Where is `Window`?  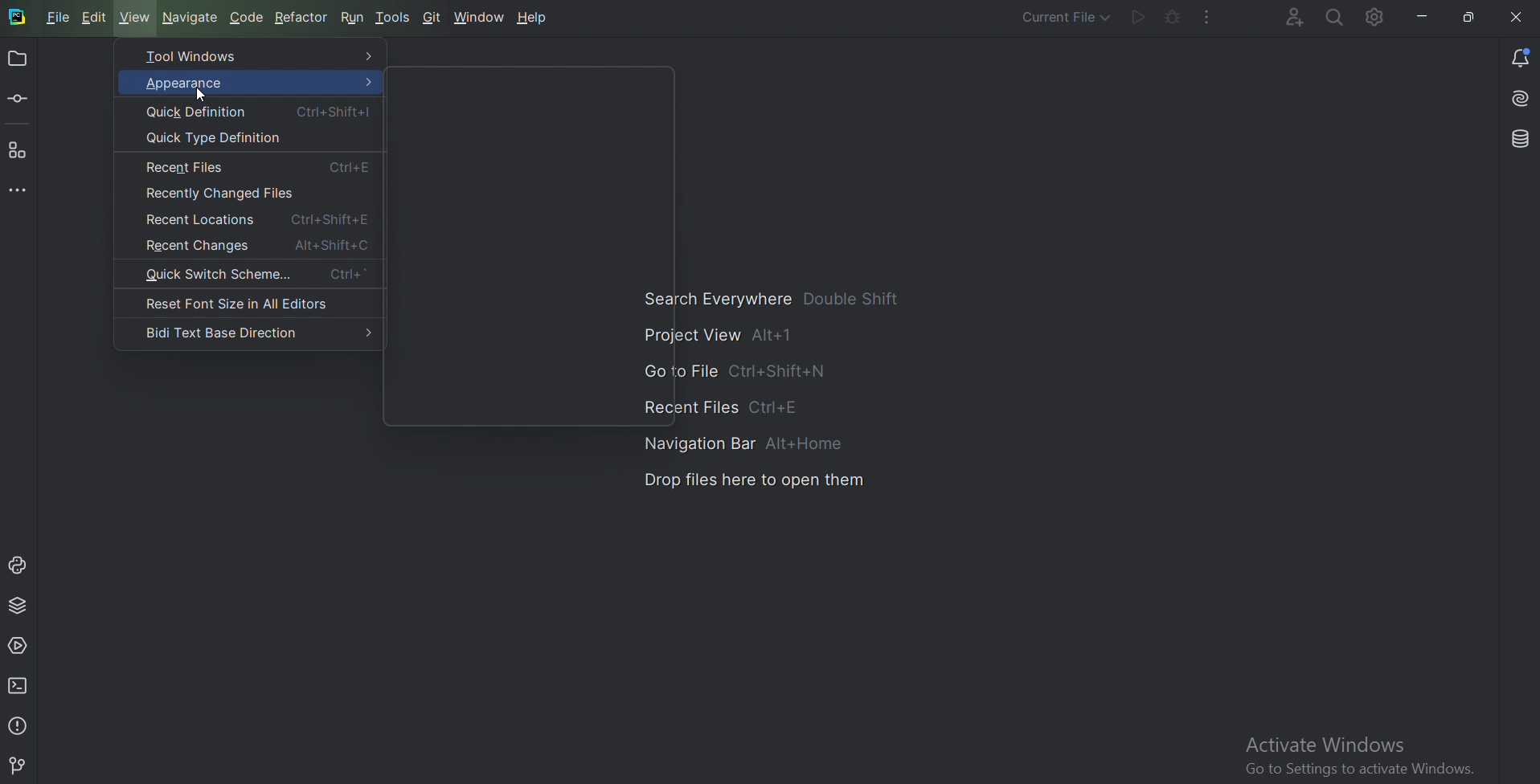 Window is located at coordinates (480, 16).